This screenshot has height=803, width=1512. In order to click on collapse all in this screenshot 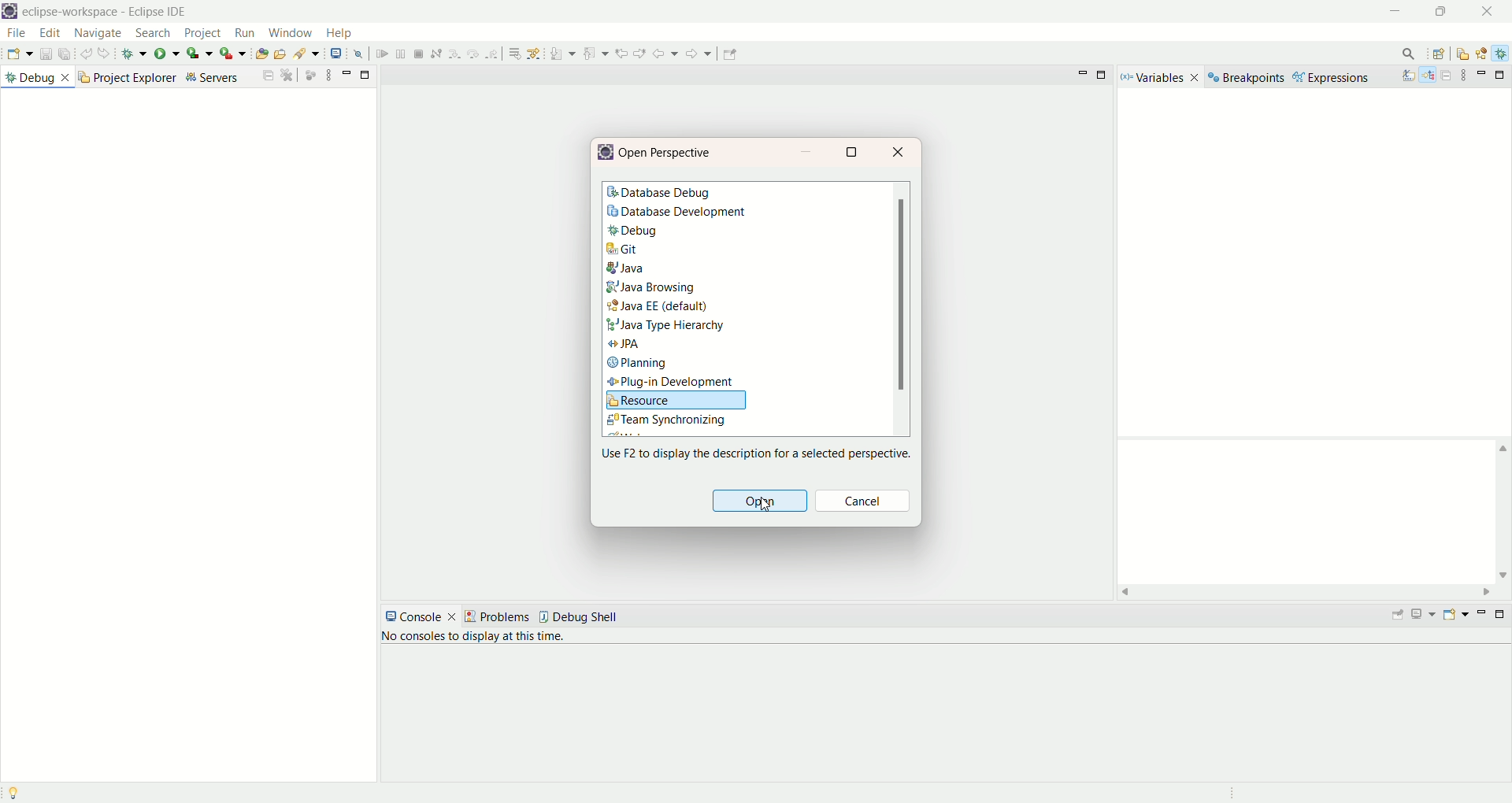, I will do `click(268, 76)`.